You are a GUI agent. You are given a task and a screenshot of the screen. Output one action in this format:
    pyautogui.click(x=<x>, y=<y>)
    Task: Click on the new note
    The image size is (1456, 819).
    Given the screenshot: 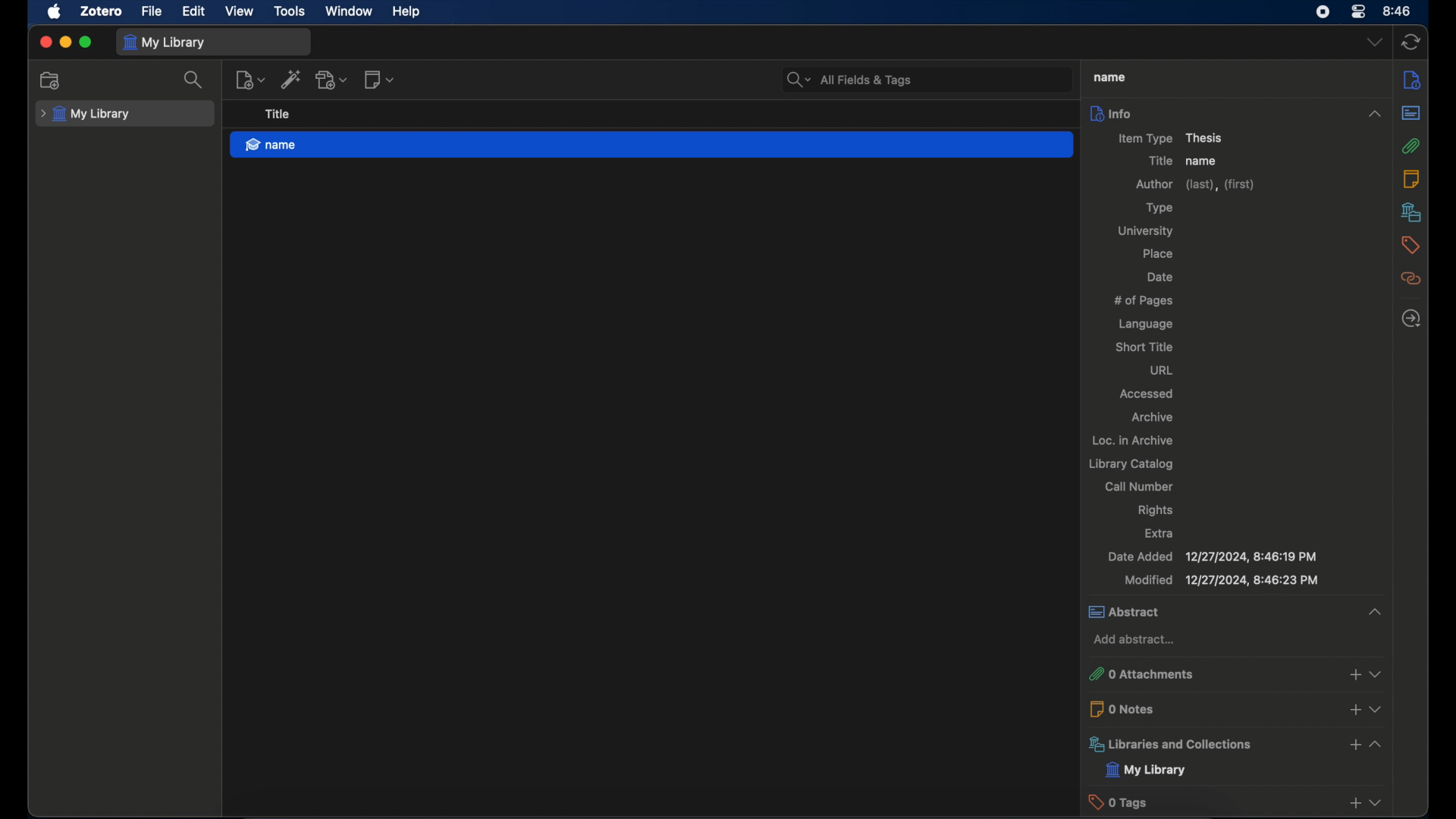 What is the action you would take?
    pyautogui.click(x=379, y=80)
    